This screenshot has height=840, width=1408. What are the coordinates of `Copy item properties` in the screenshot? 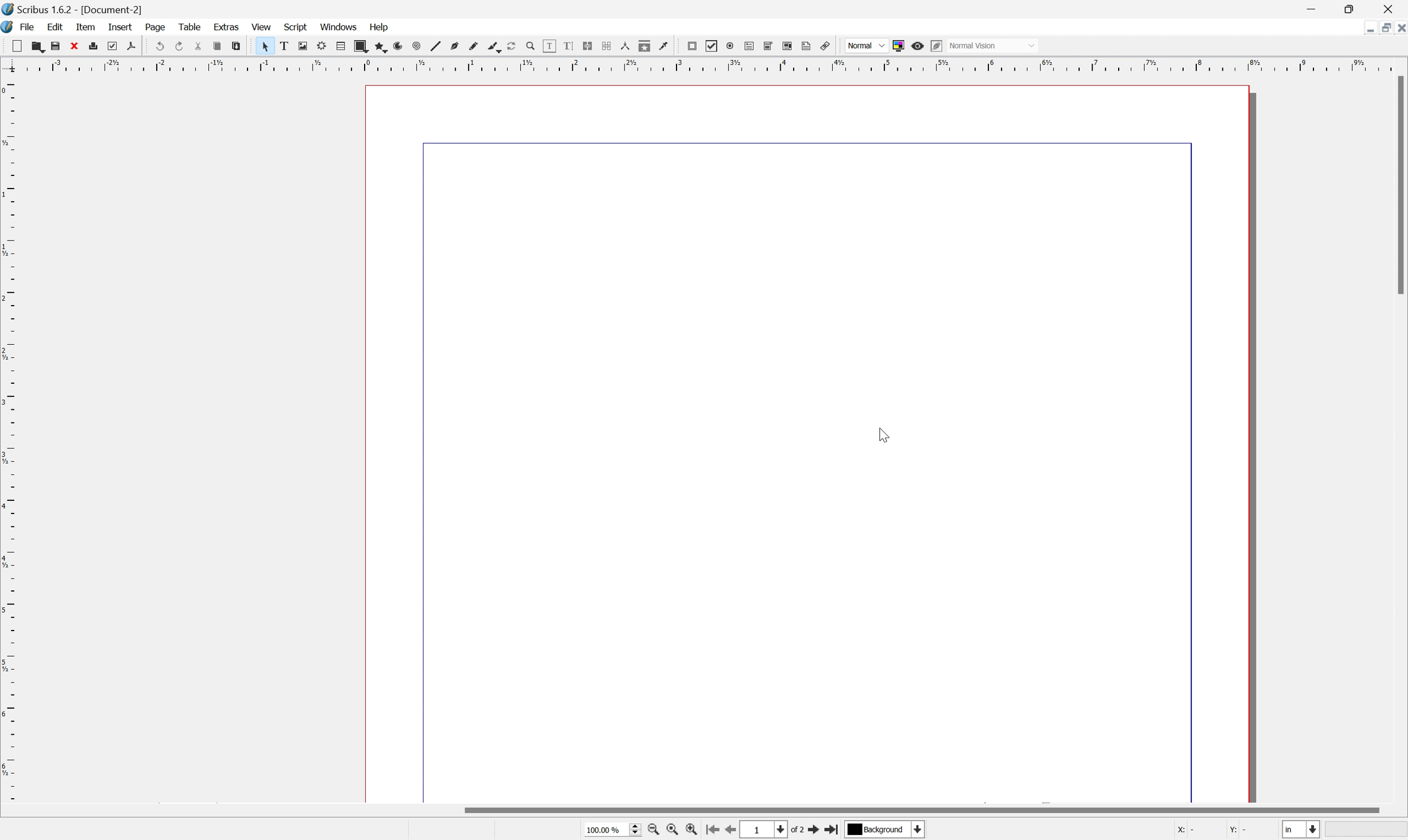 It's located at (645, 46).